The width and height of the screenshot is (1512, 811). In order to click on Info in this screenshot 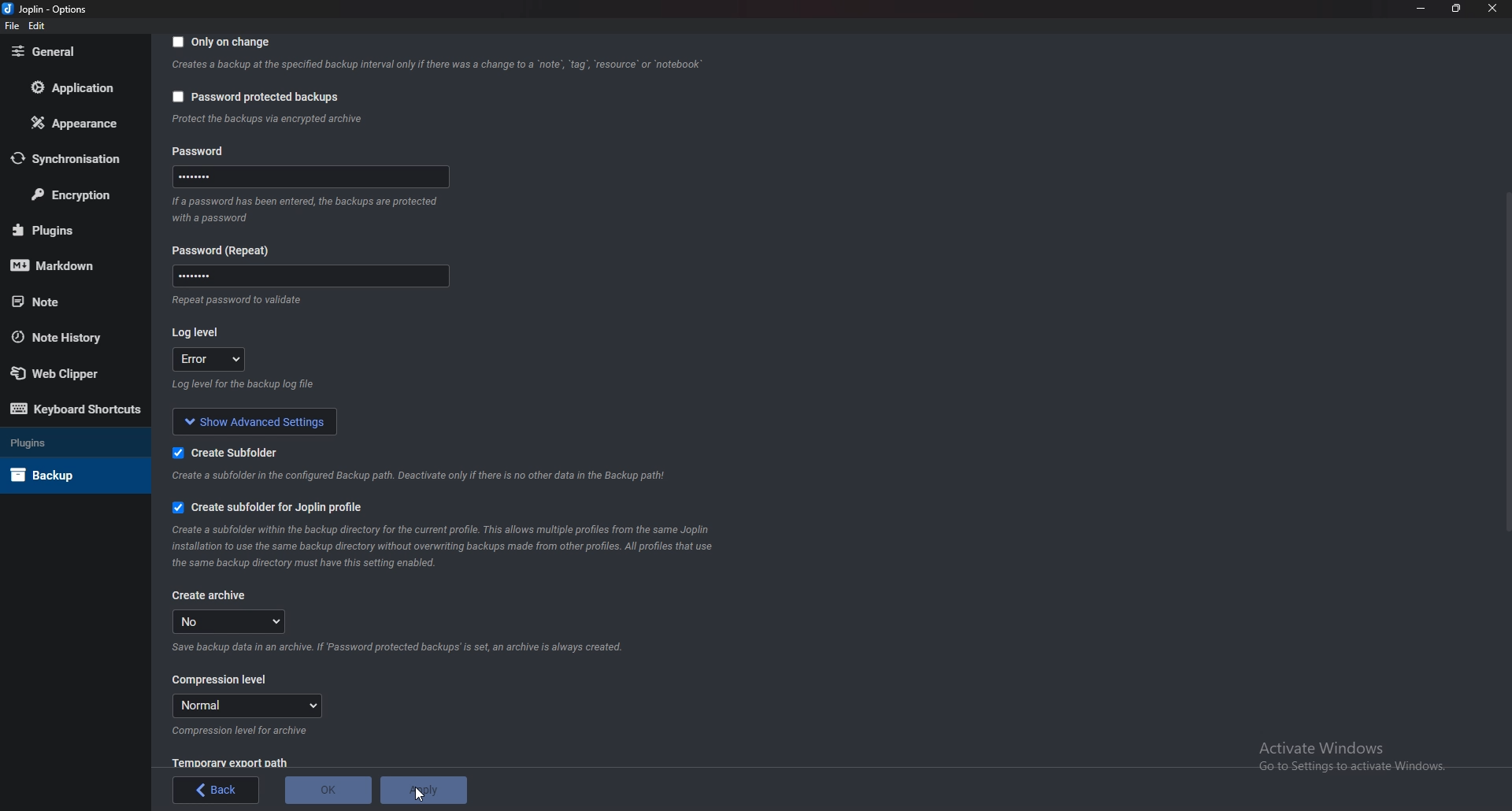, I will do `click(234, 299)`.